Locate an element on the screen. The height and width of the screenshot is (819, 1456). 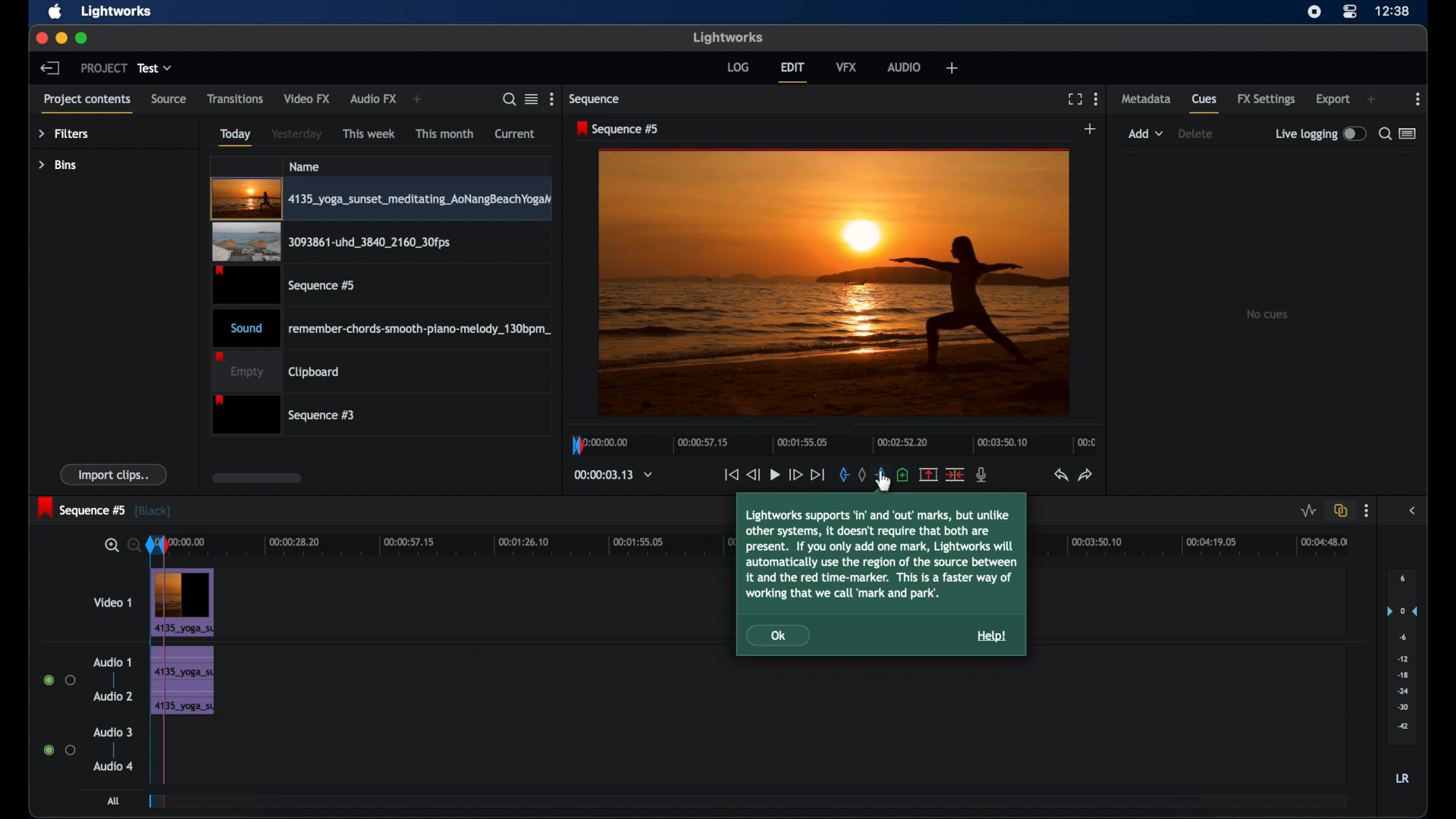
yesterday is located at coordinates (297, 133).